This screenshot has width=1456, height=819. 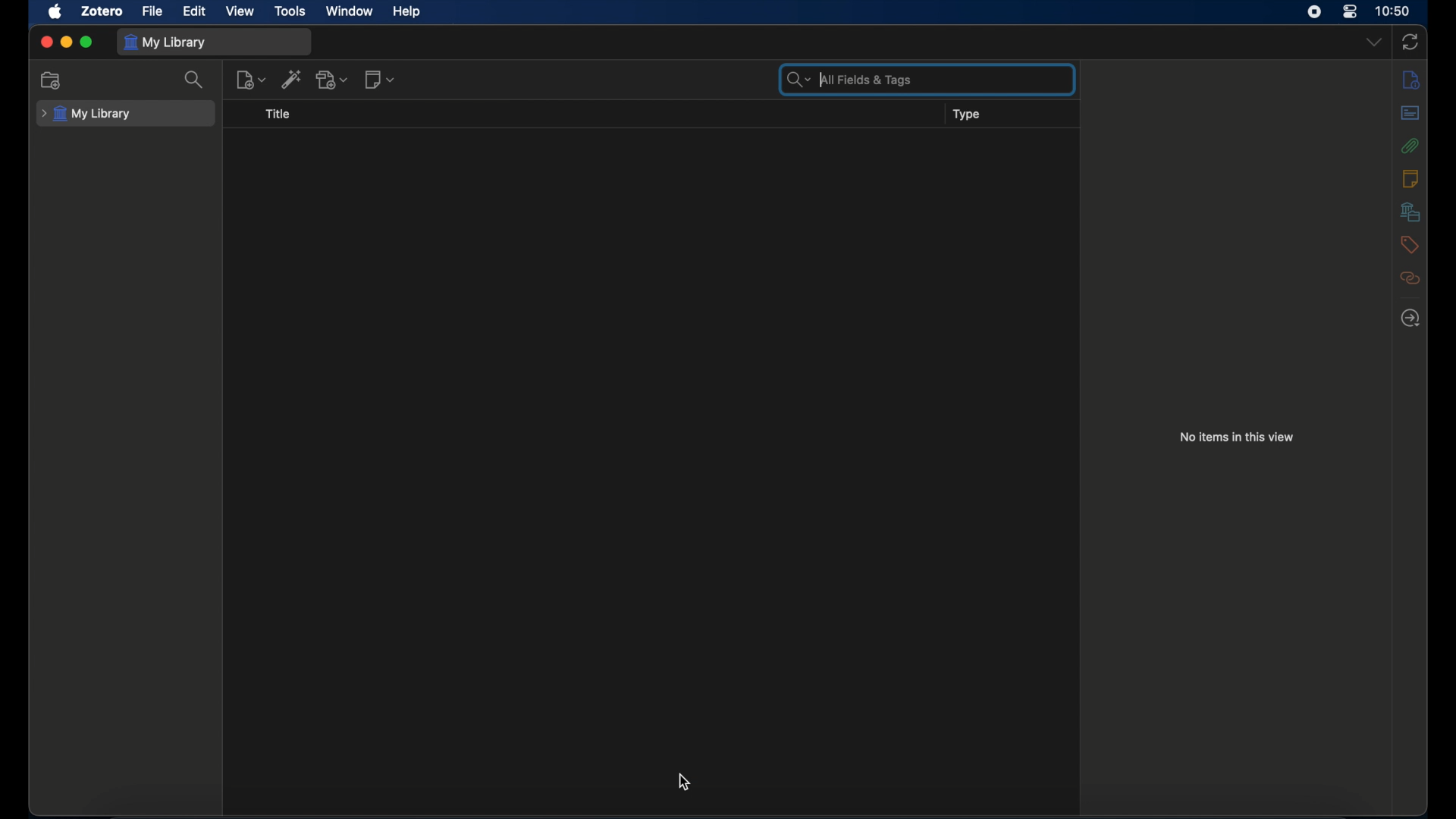 What do you see at coordinates (686, 783) in the screenshot?
I see `cursor` at bounding box center [686, 783].